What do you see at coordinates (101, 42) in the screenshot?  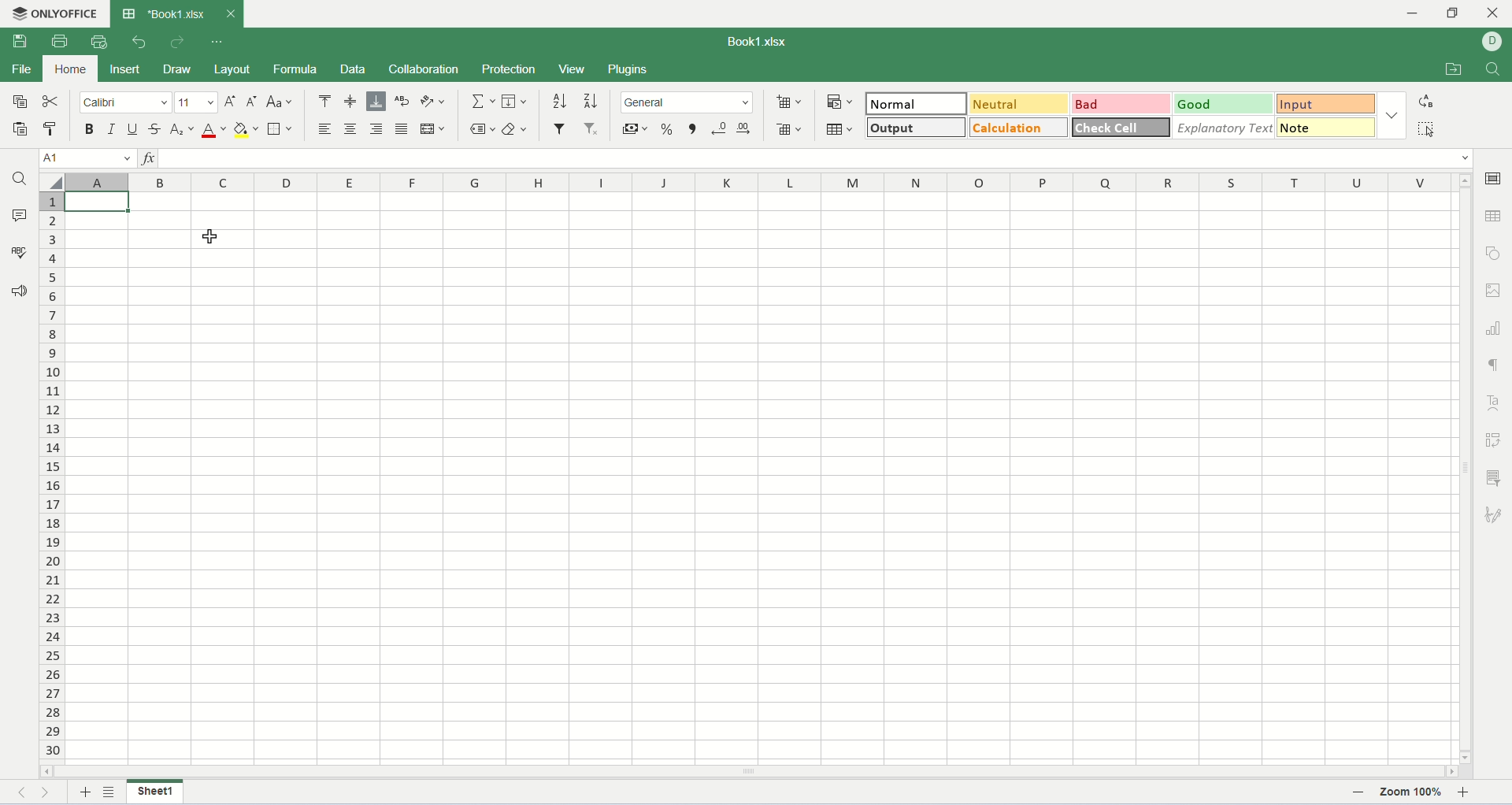 I see `quick print` at bounding box center [101, 42].